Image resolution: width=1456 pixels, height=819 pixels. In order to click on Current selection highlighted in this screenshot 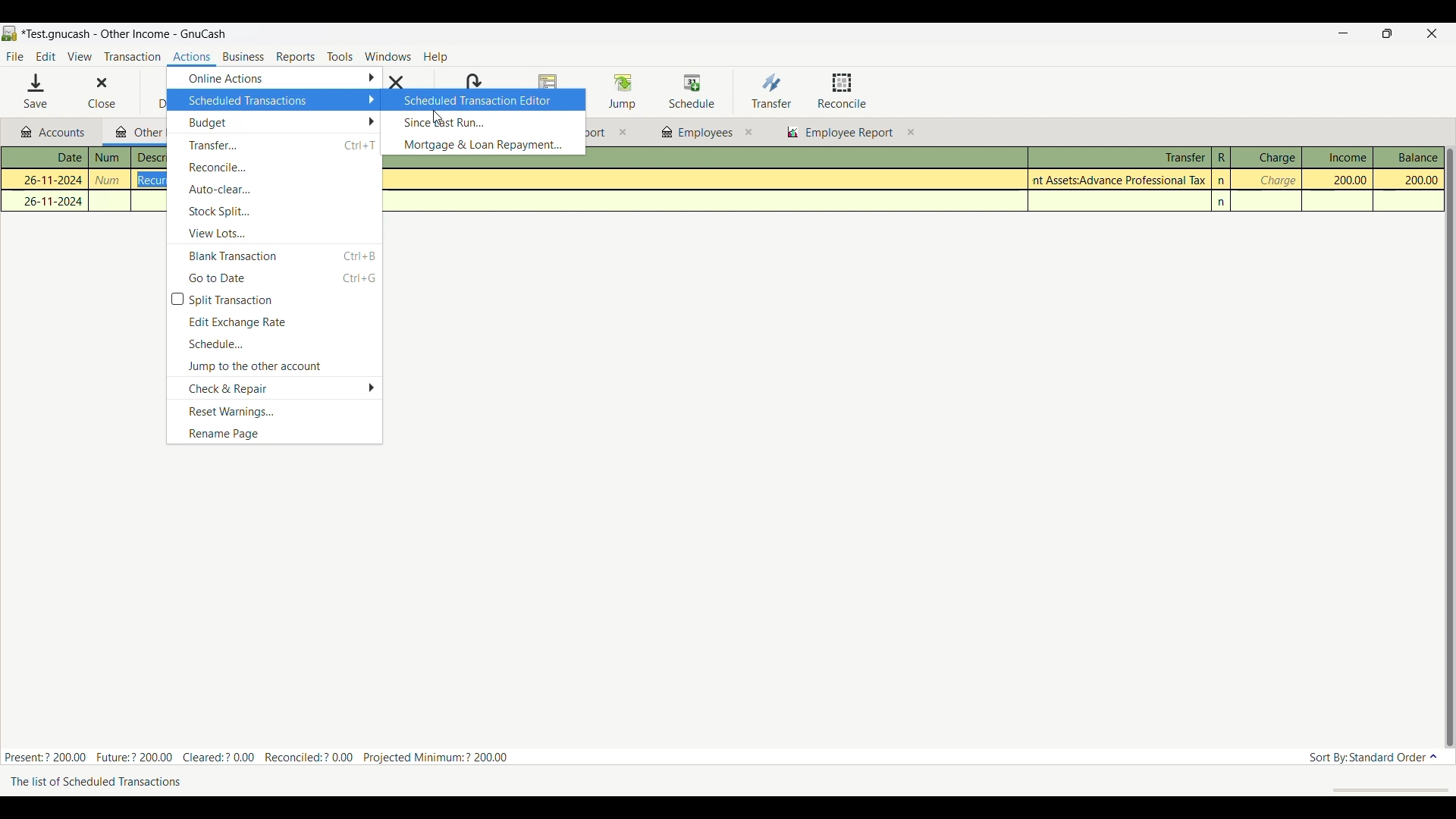, I will do `click(483, 99)`.